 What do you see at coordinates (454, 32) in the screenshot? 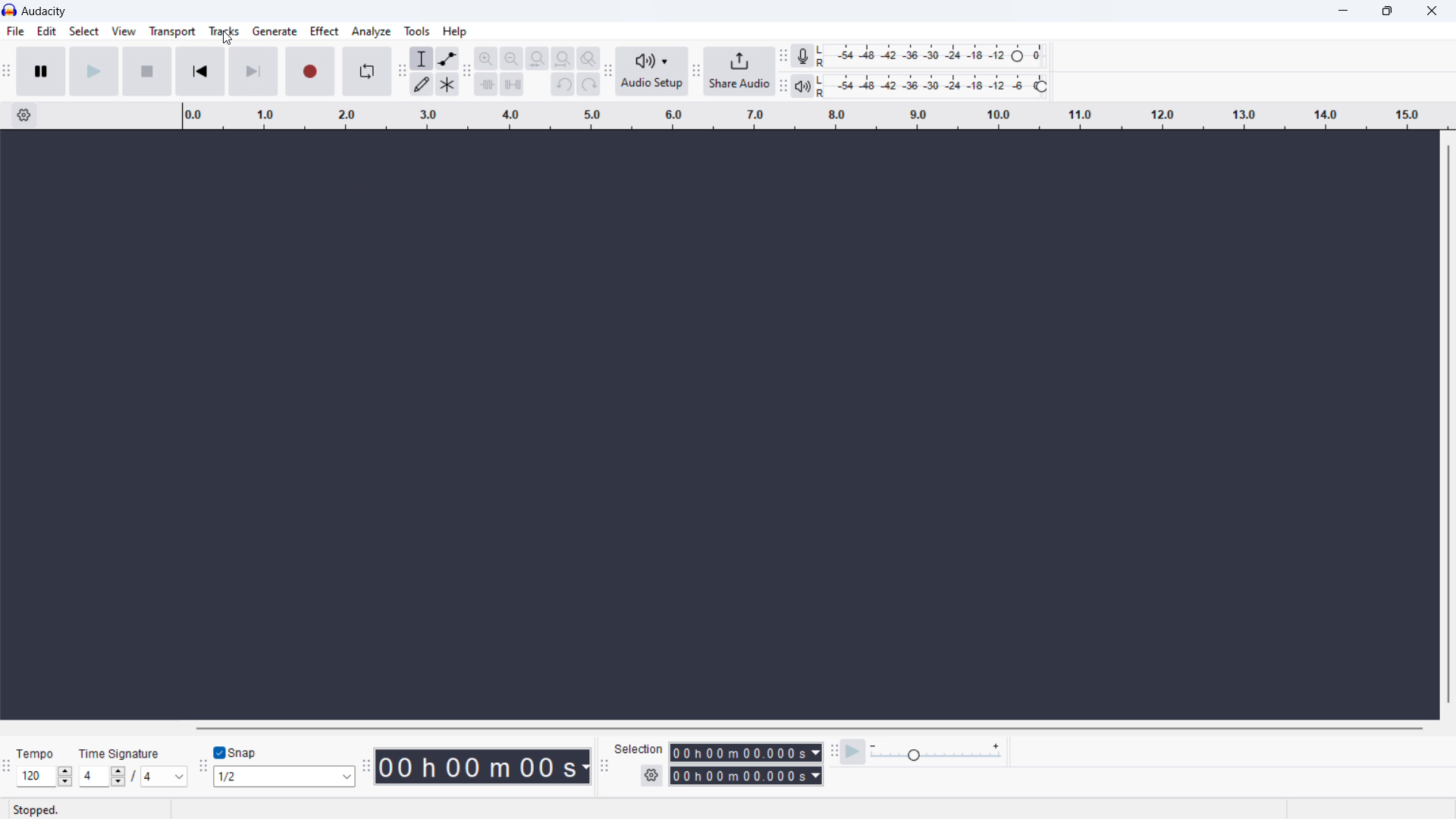
I see `help` at bounding box center [454, 32].